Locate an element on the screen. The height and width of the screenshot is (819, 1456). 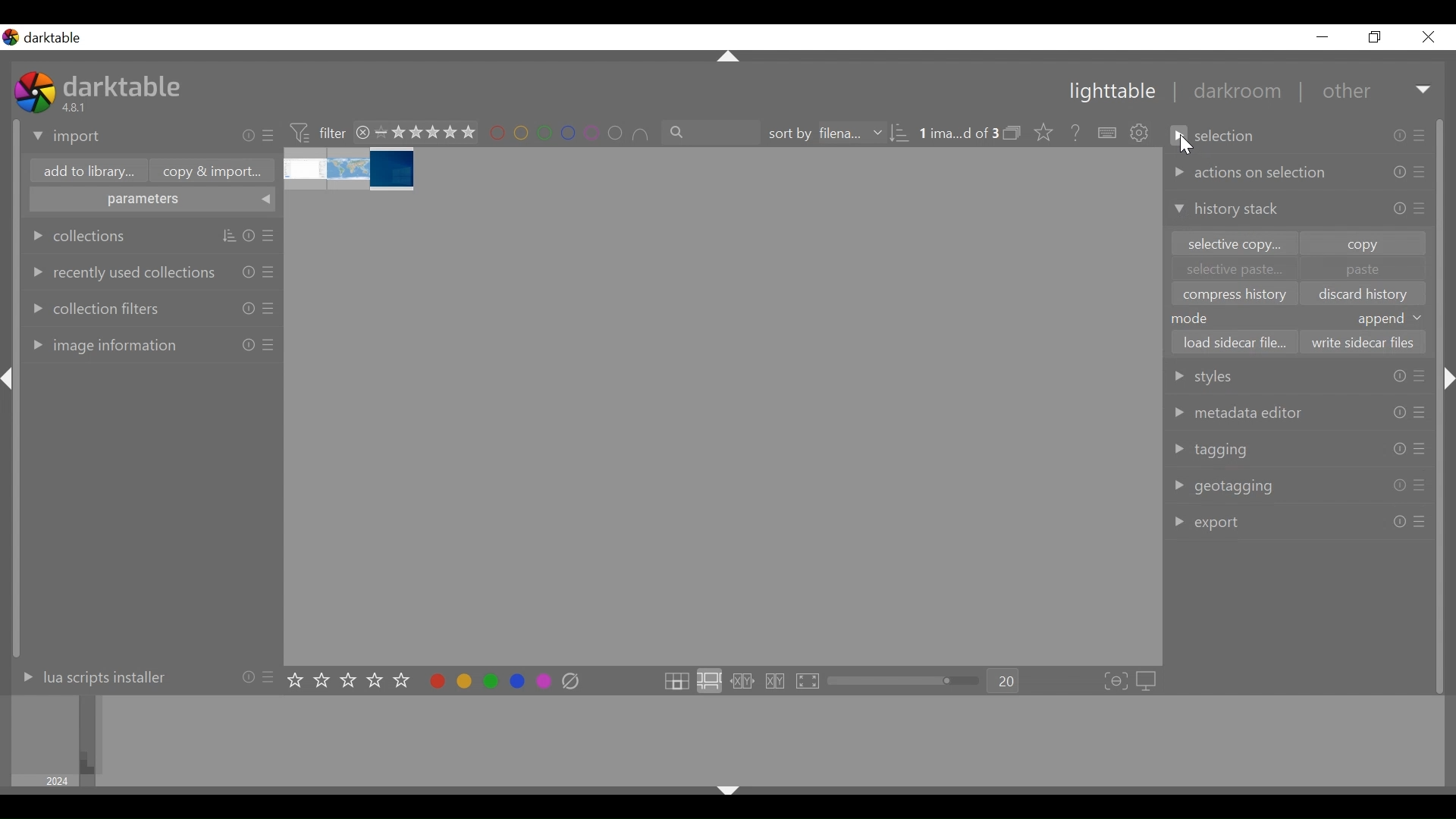
selection copy is located at coordinates (1229, 243).